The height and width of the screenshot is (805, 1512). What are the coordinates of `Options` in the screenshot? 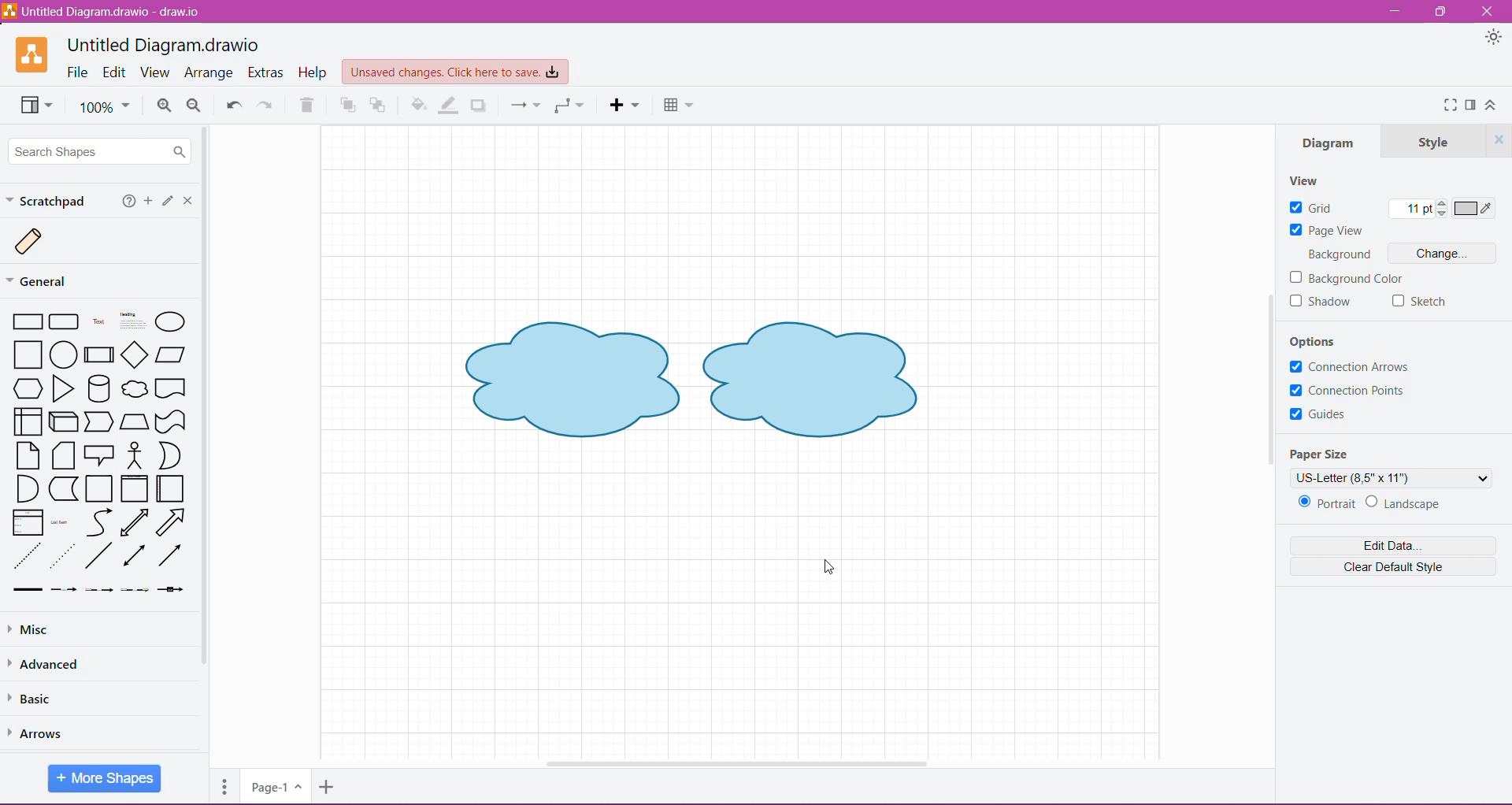 It's located at (1324, 339).